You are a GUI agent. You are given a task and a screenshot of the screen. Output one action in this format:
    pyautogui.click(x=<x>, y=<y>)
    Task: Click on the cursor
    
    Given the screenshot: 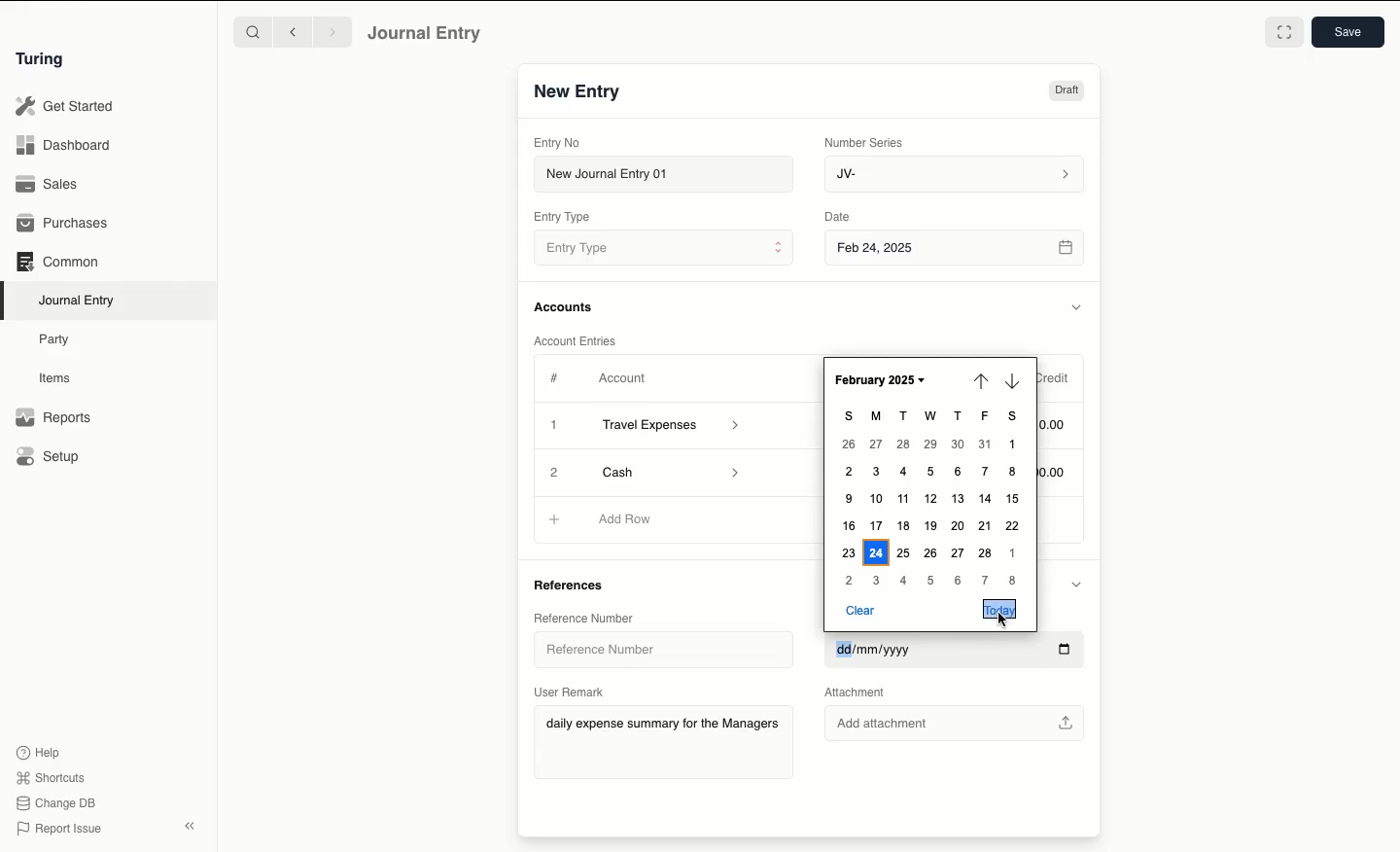 What is the action you would take?
    pyautogui.click(x=1003, y=621)
    